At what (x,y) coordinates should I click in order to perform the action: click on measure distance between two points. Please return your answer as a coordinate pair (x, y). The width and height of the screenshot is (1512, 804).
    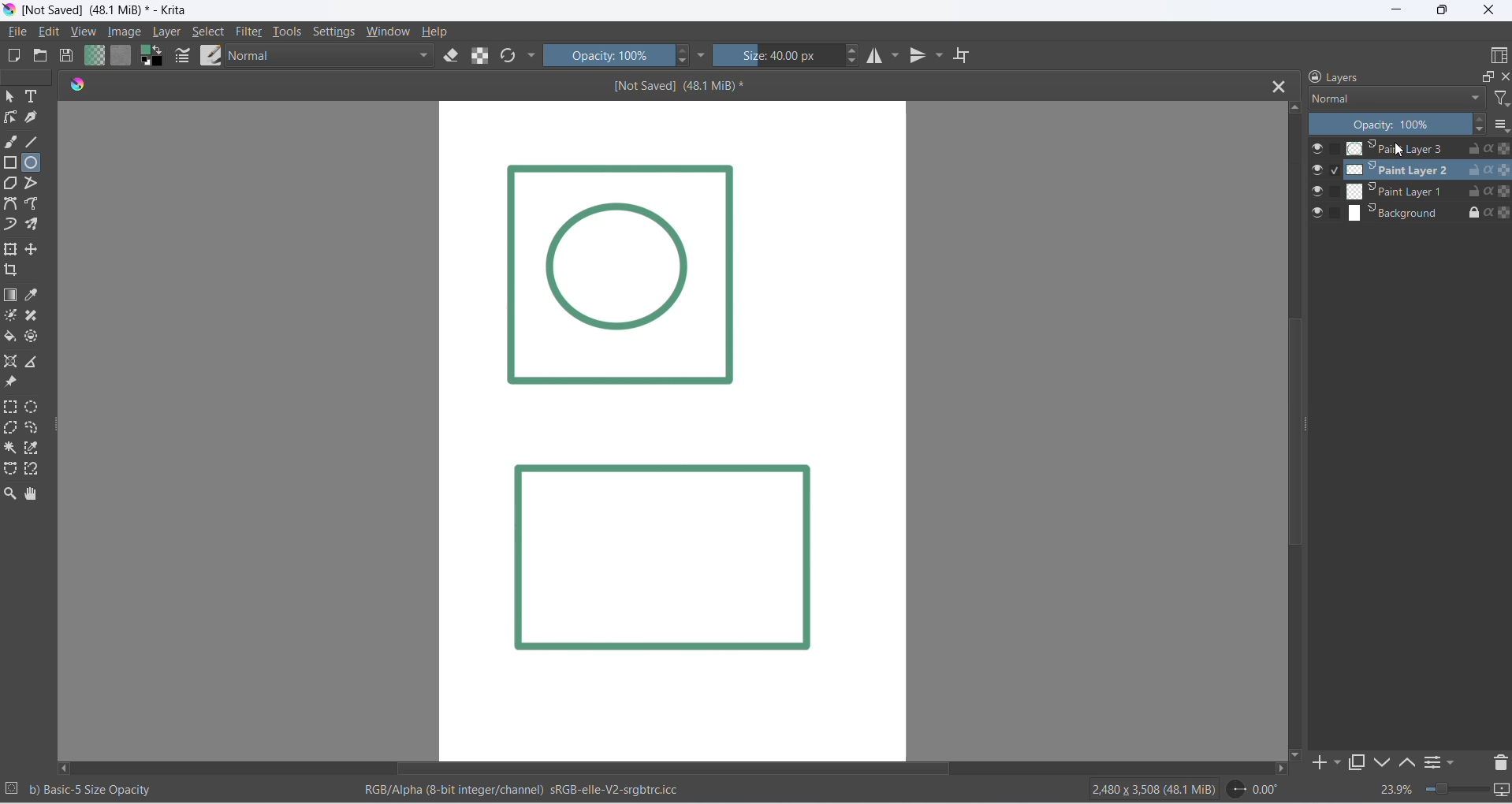
    Looking at the image, I should click on (35, 361).